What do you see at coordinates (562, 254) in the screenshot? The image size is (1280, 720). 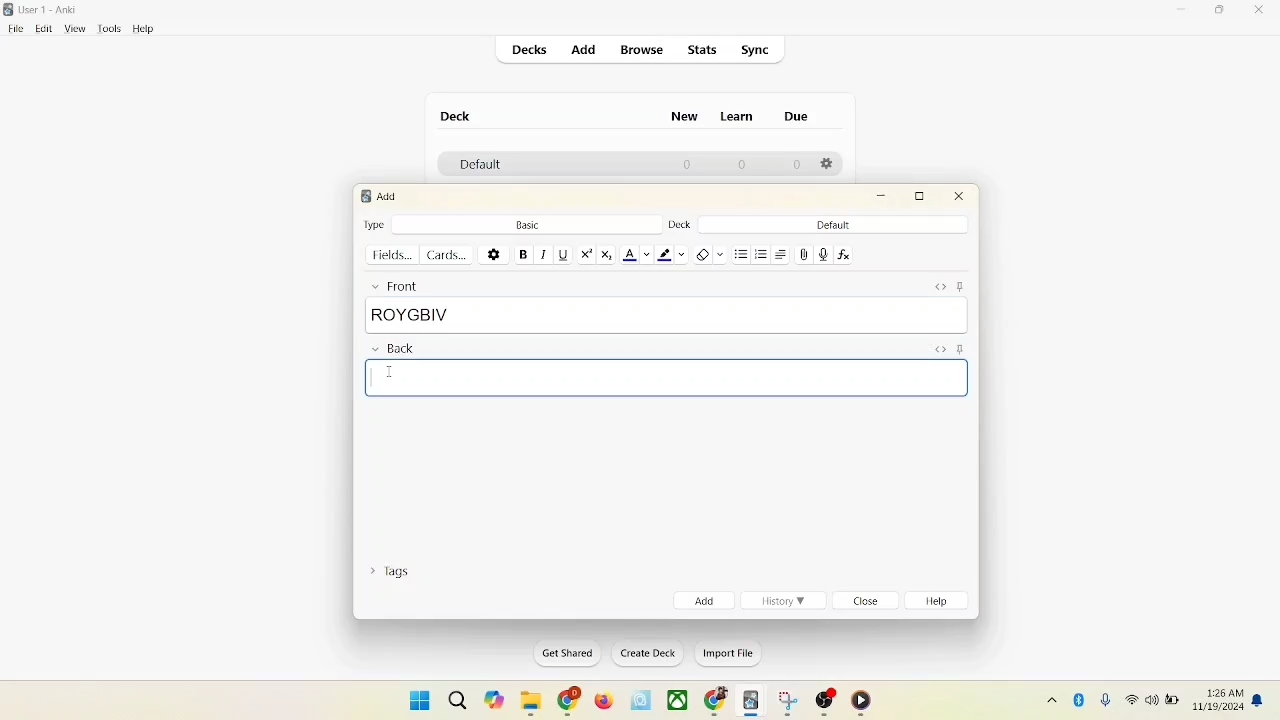 I see `underline` at bounding box center [562, 254].